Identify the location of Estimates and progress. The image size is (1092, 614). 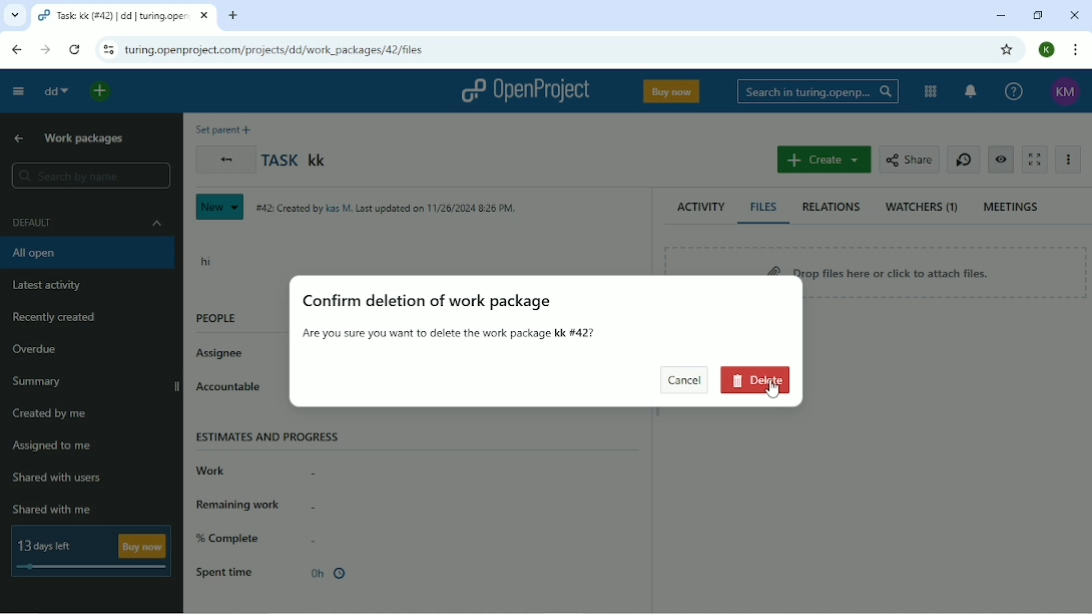
(268, 435).